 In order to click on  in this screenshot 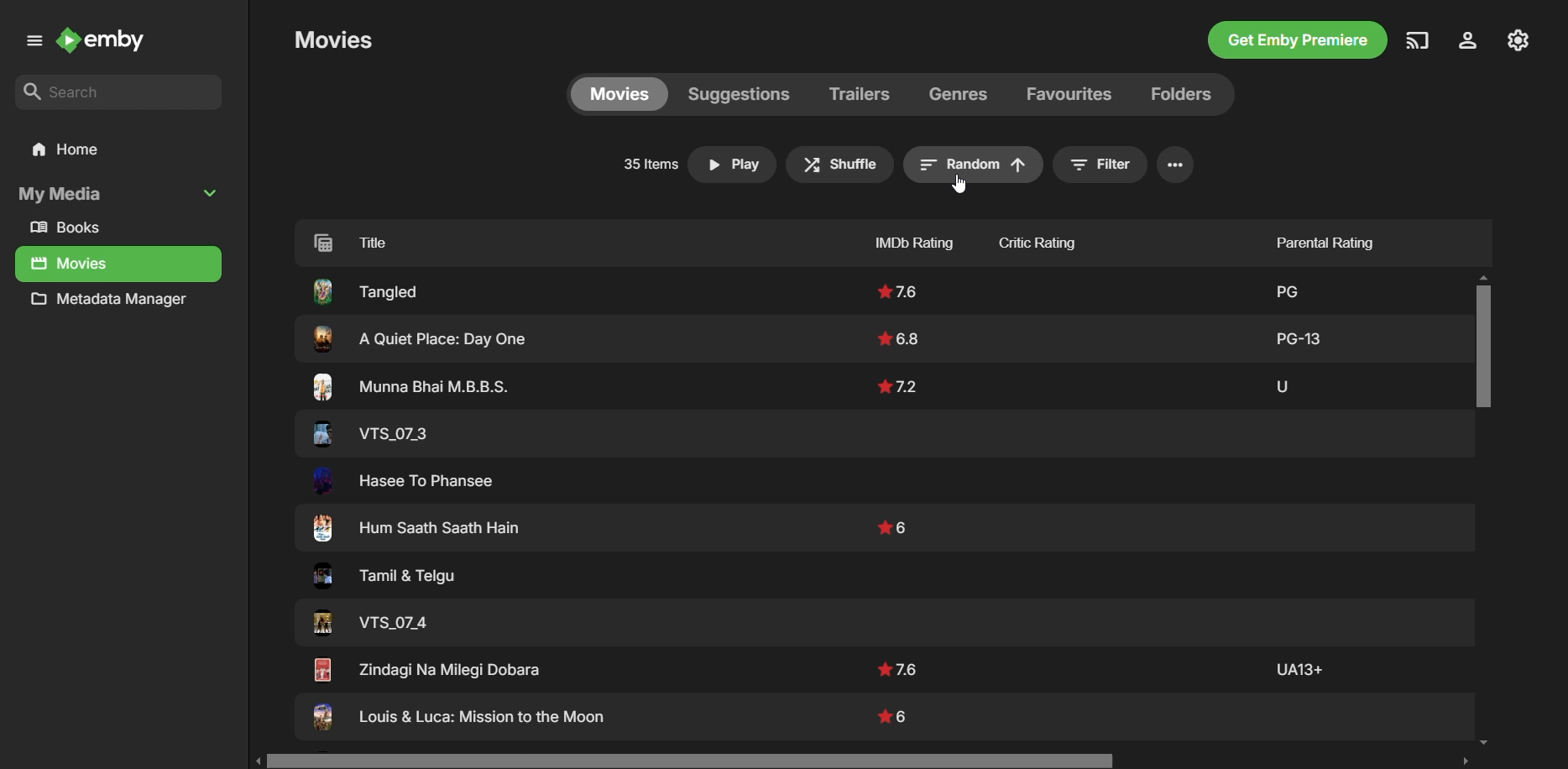, I will do `click(416, 339)`.